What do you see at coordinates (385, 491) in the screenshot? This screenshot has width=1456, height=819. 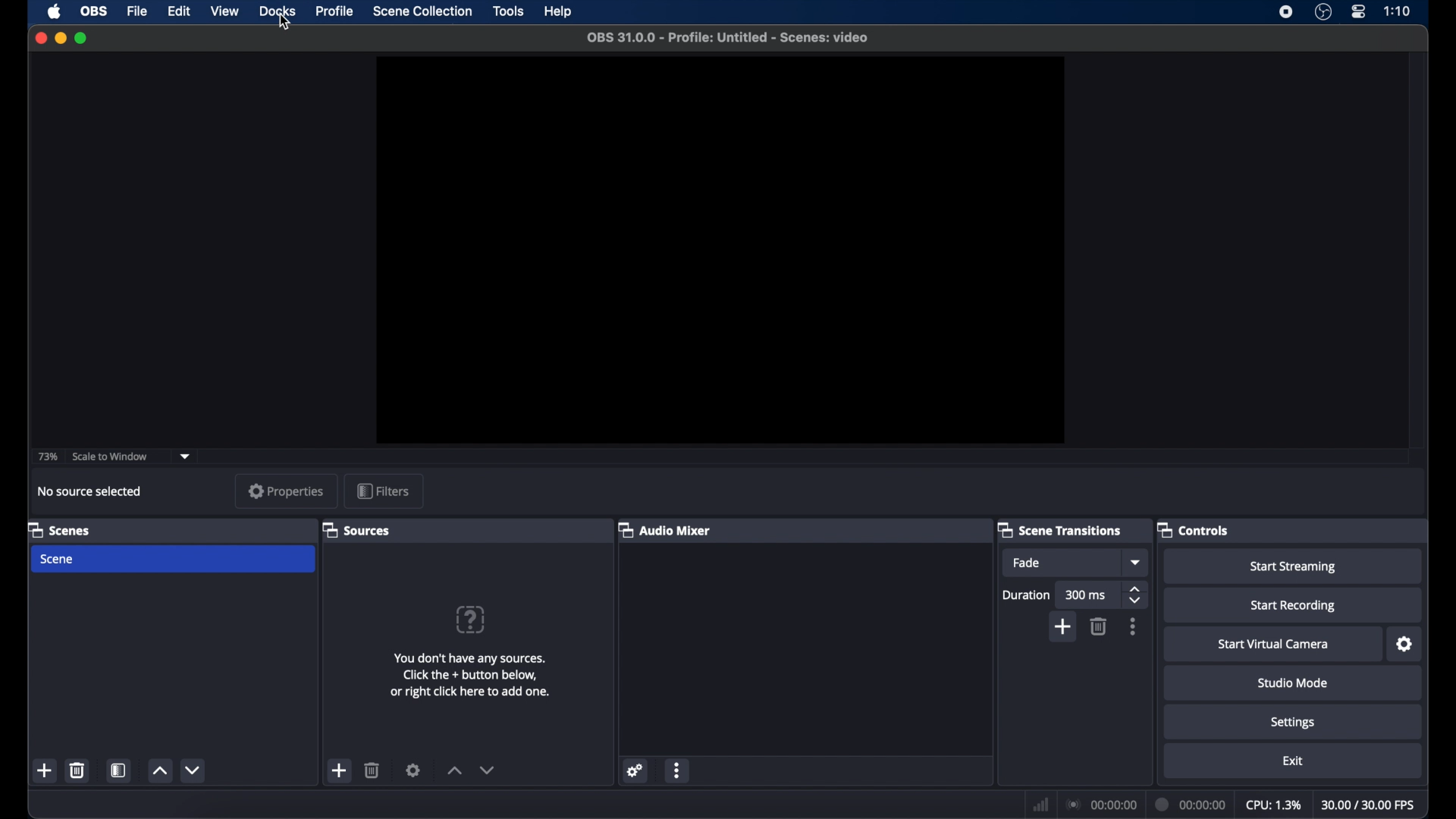 I see `filters` at bounding box center [385, 491].